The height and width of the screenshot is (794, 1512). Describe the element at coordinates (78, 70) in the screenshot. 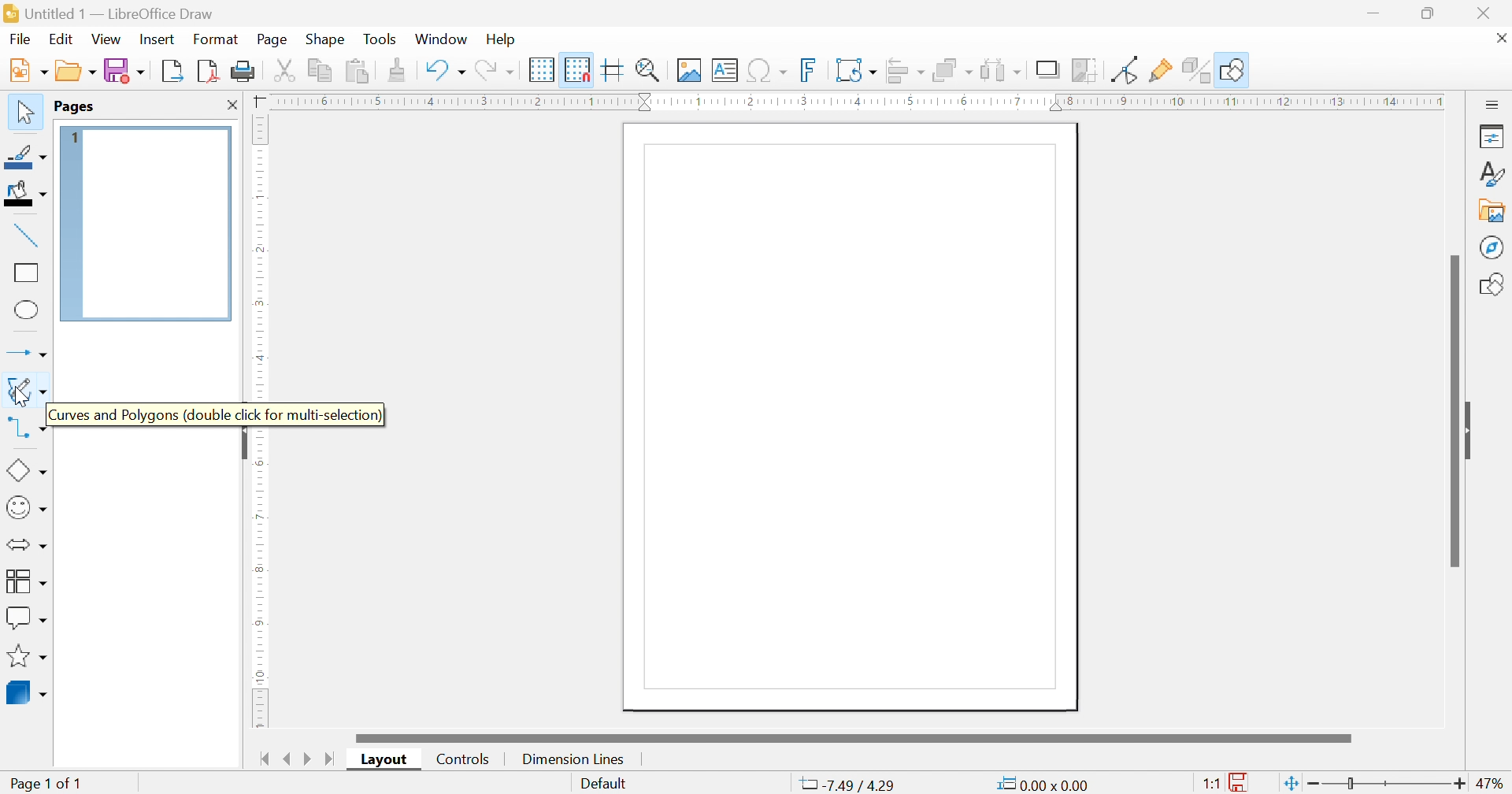

I see `open` at that location.